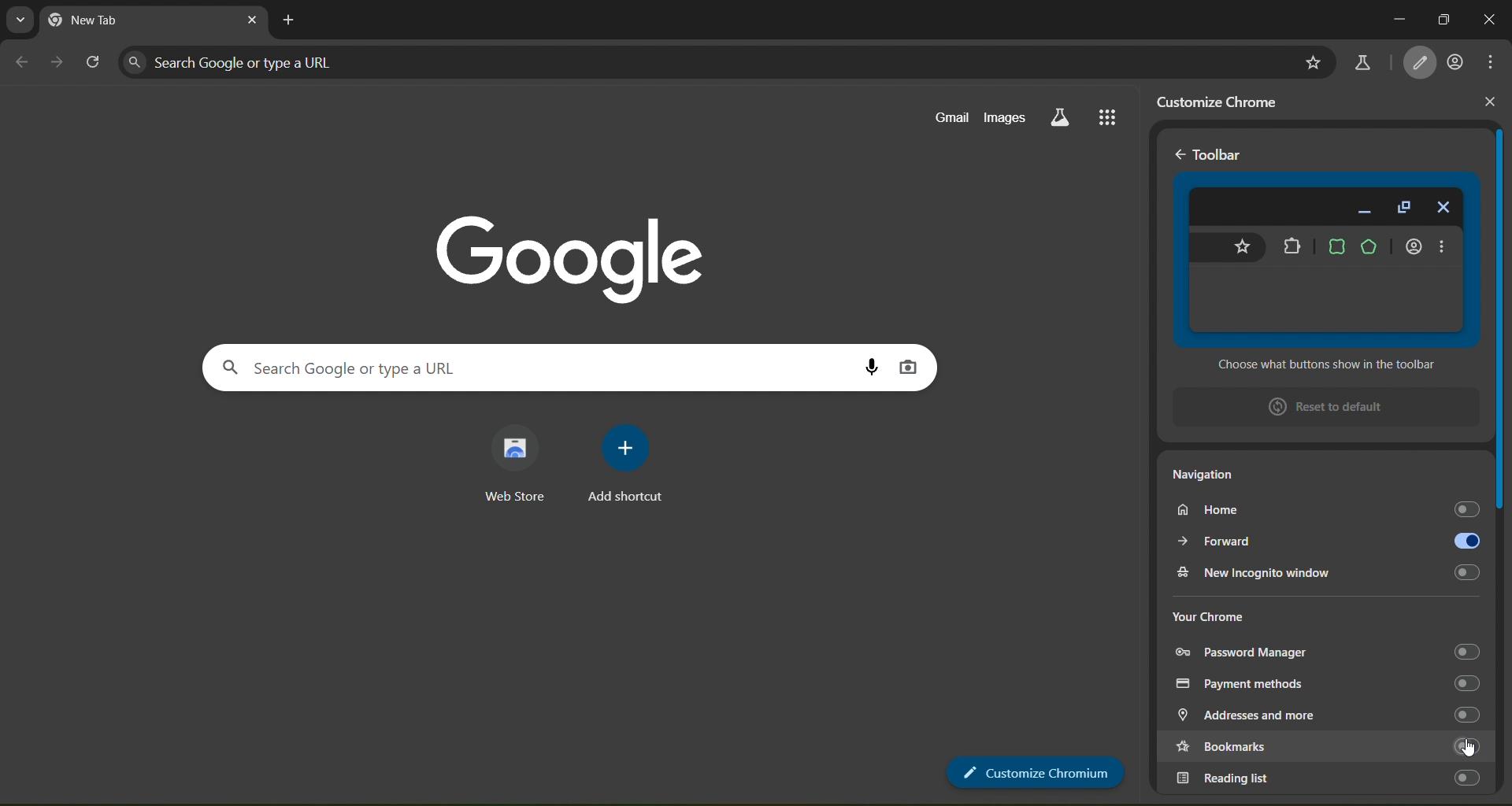  I want to click on < Toolbar, so click(1215, 155).